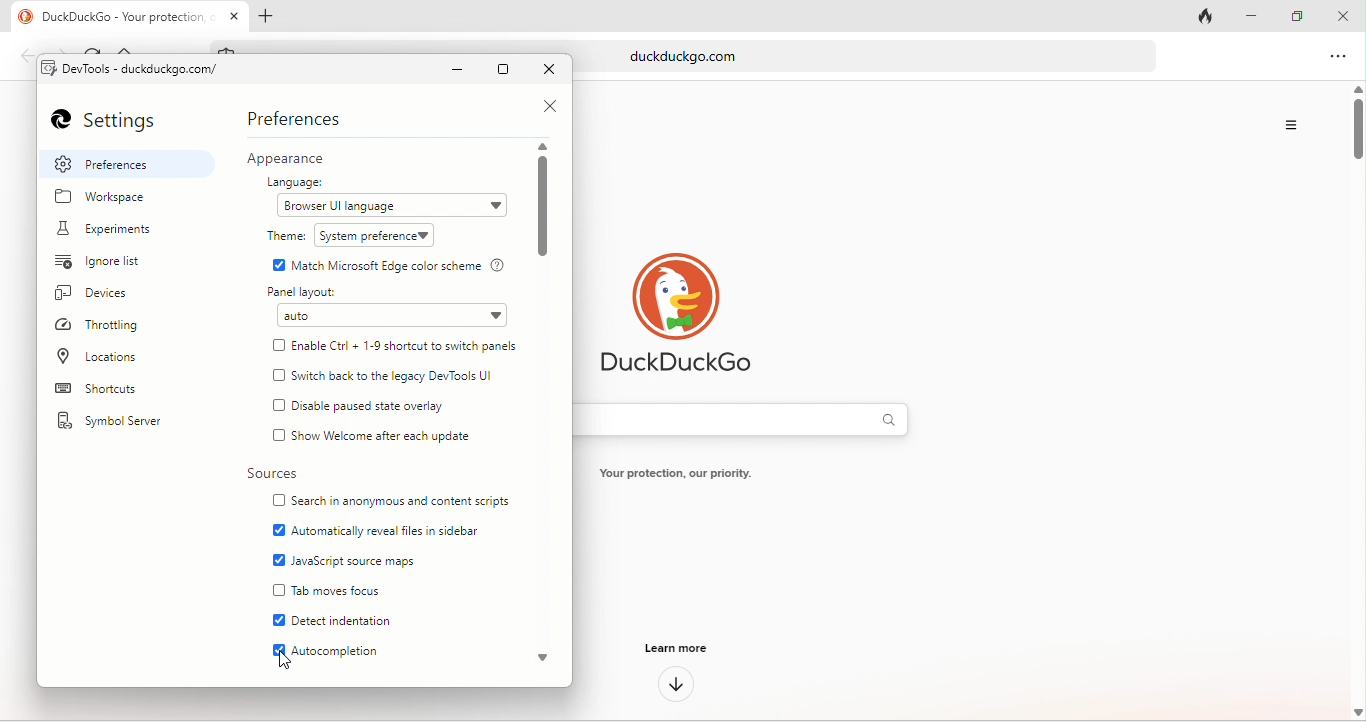 This screenshot has height=722, width=1366. Describe the element at coordinates (685, 295) in the screenshot. I see `duck duck go logo` at that location.